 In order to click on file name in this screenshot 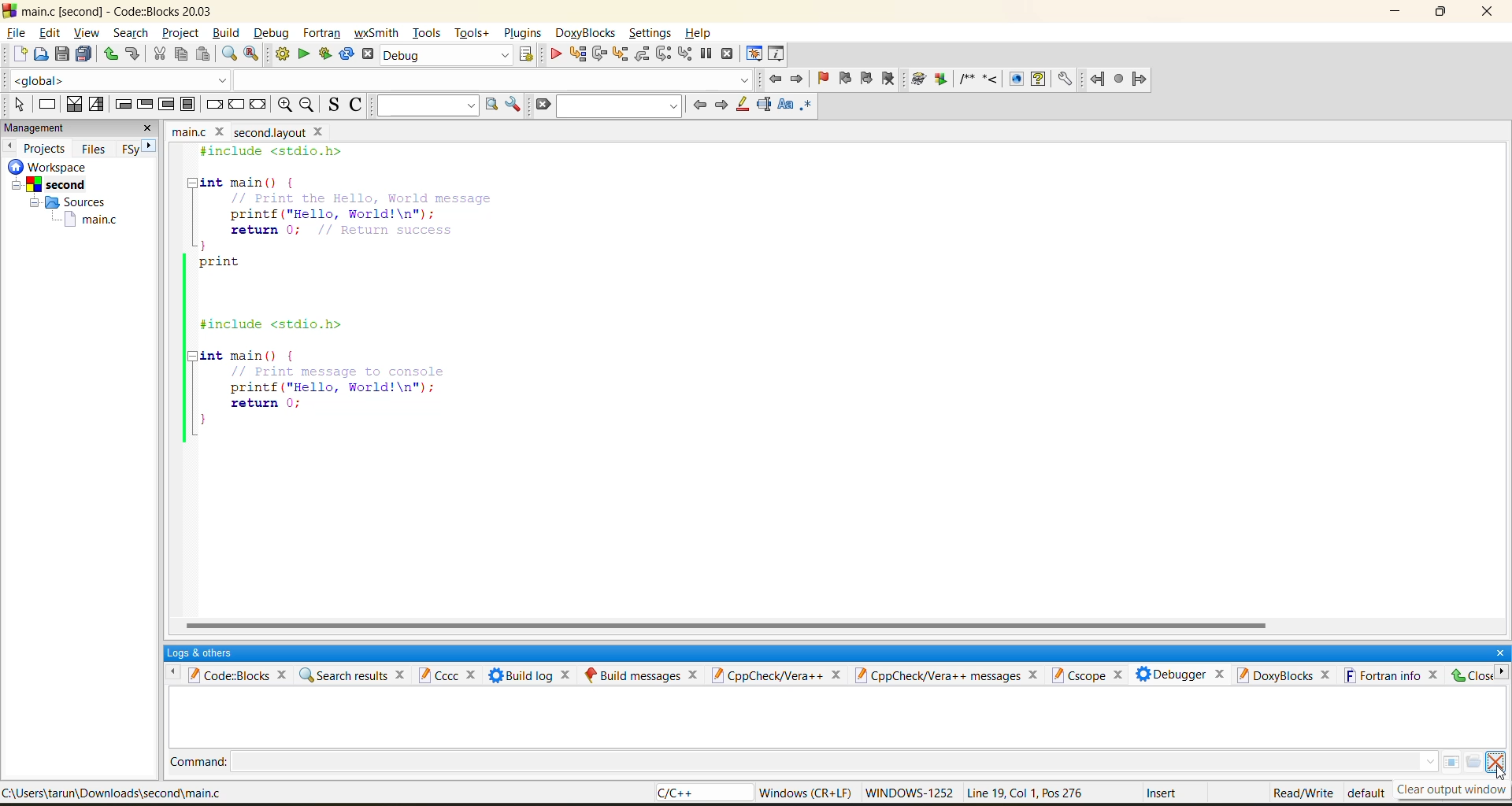, I will do `click(250, 132)`.